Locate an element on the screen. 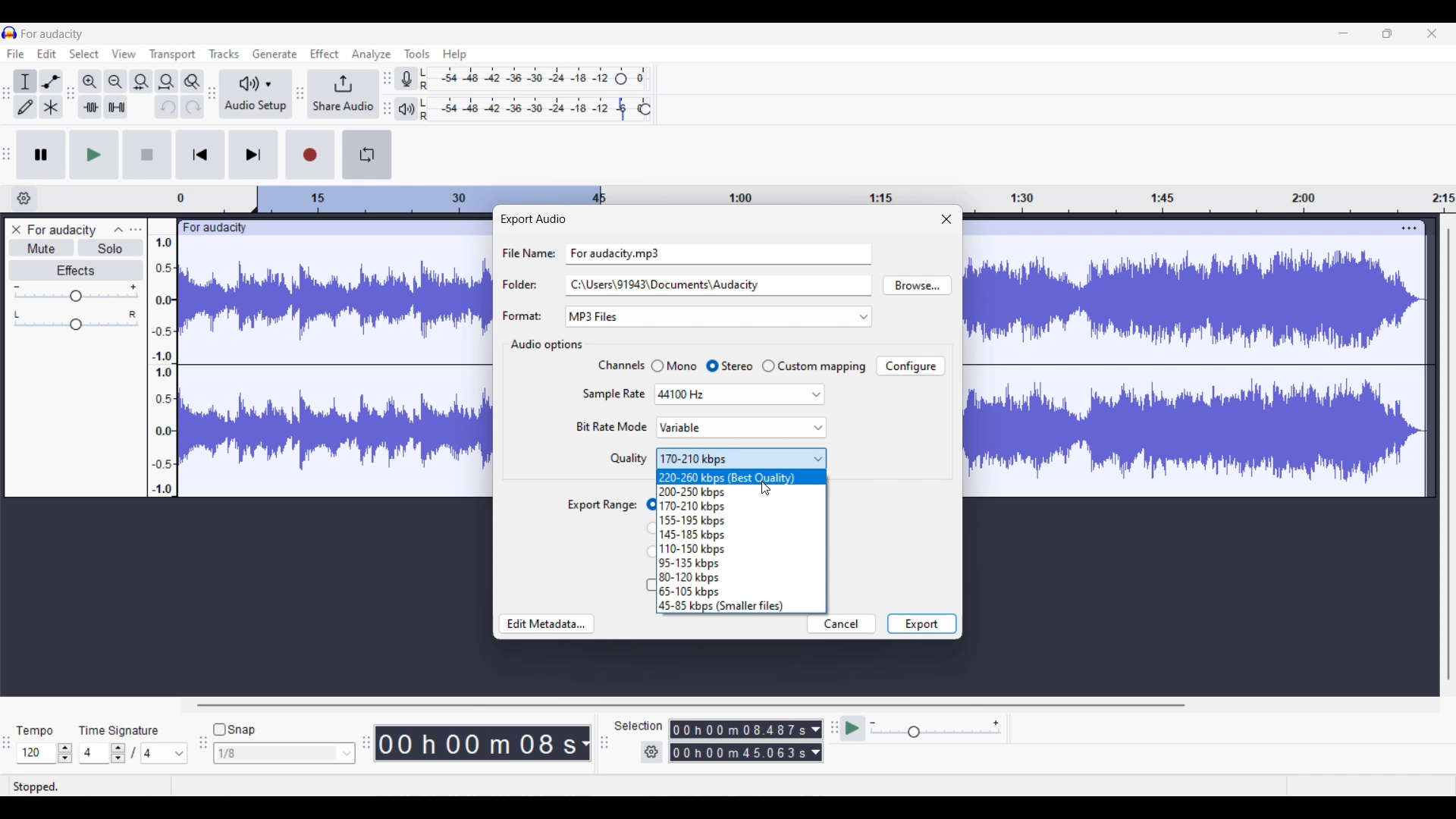 The height and width of the screenshot is (819, 1456). Envelop tool is located at coordinates (51, 82).